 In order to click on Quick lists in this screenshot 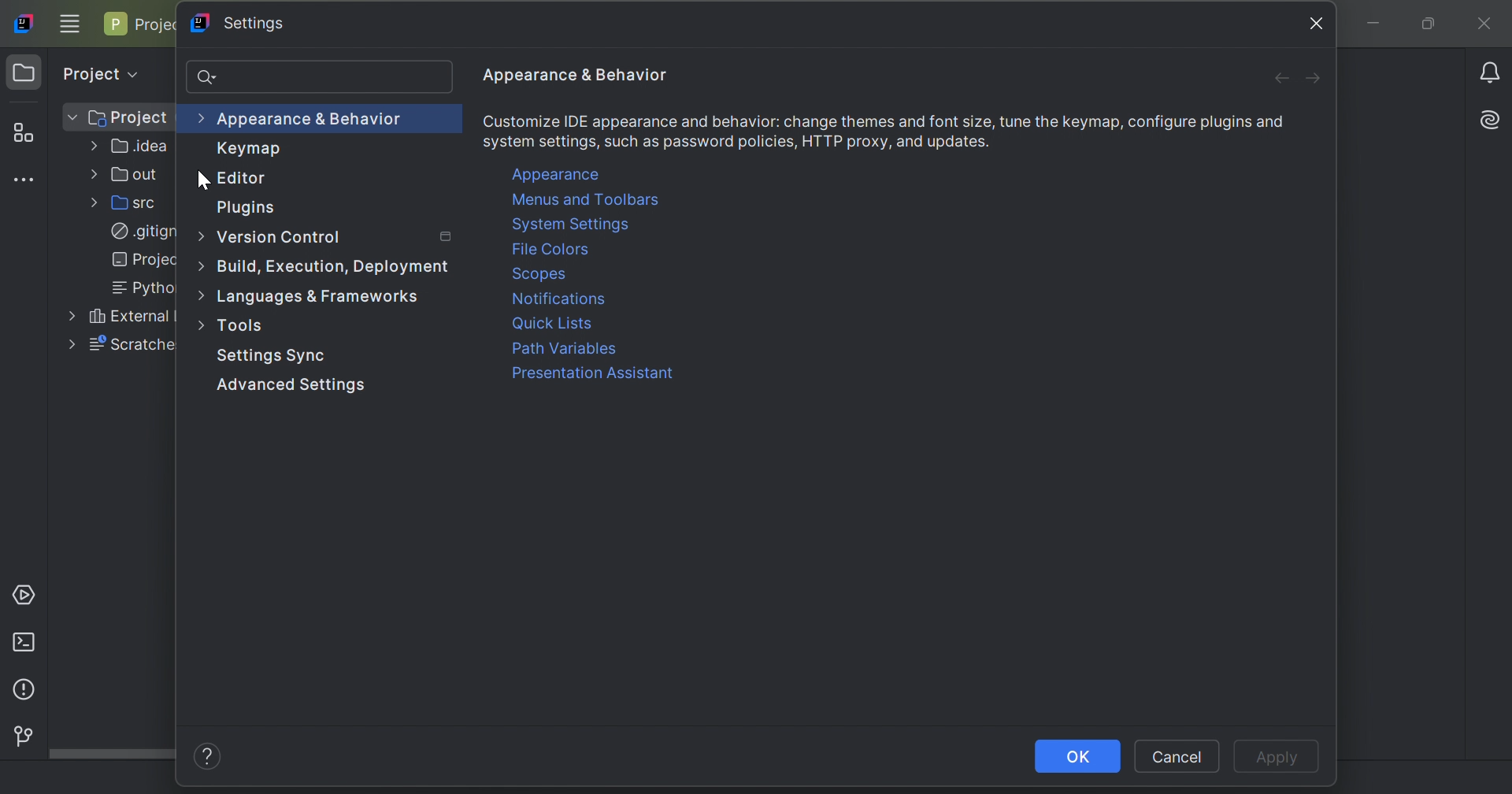, I will do `click(553, 325)`.